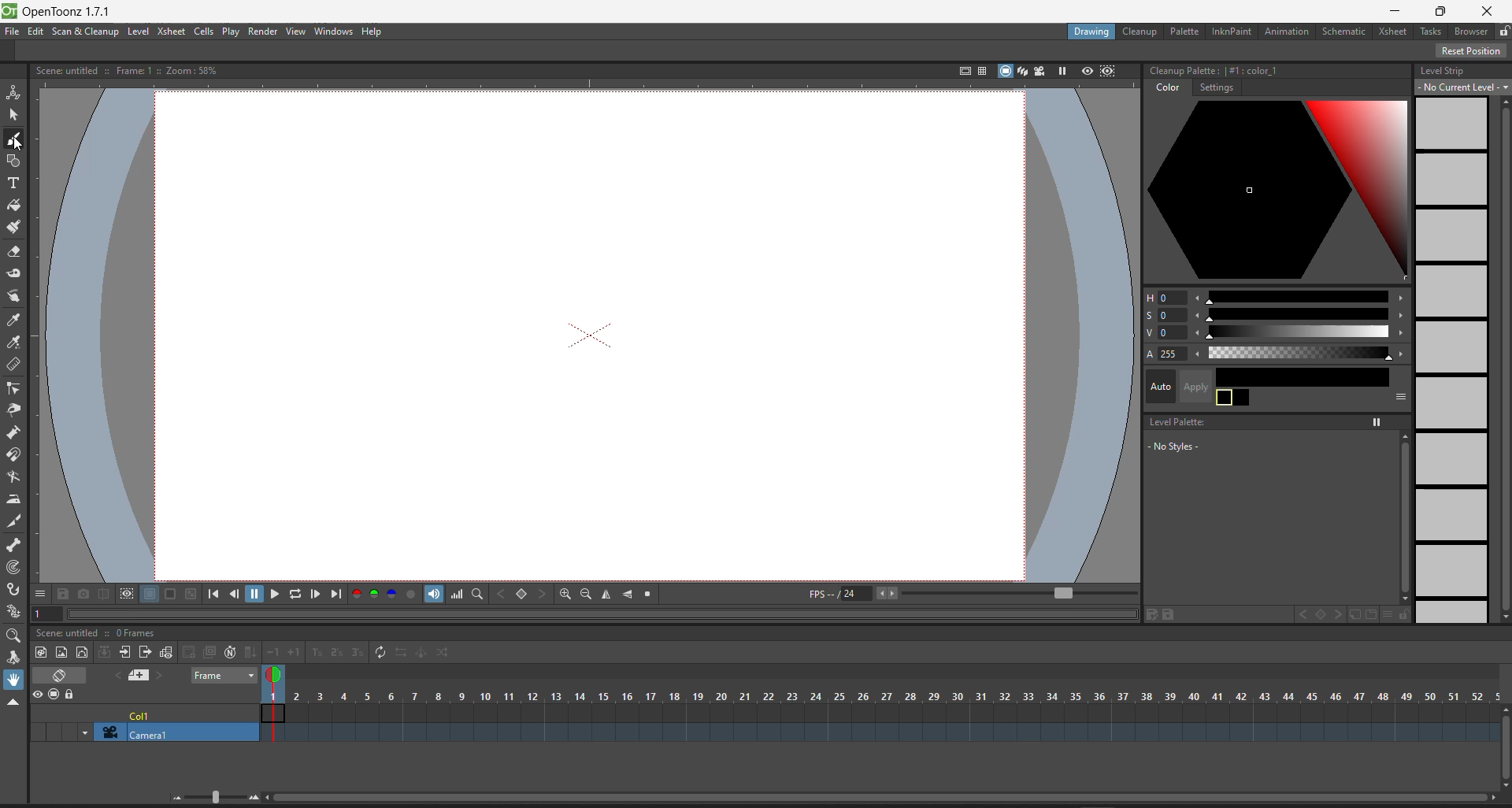 The image size is (1512, 808). What do you see at coordinates (565, 595) in the screenshot?
I see `zoom in` at bounding box center [565, 595].